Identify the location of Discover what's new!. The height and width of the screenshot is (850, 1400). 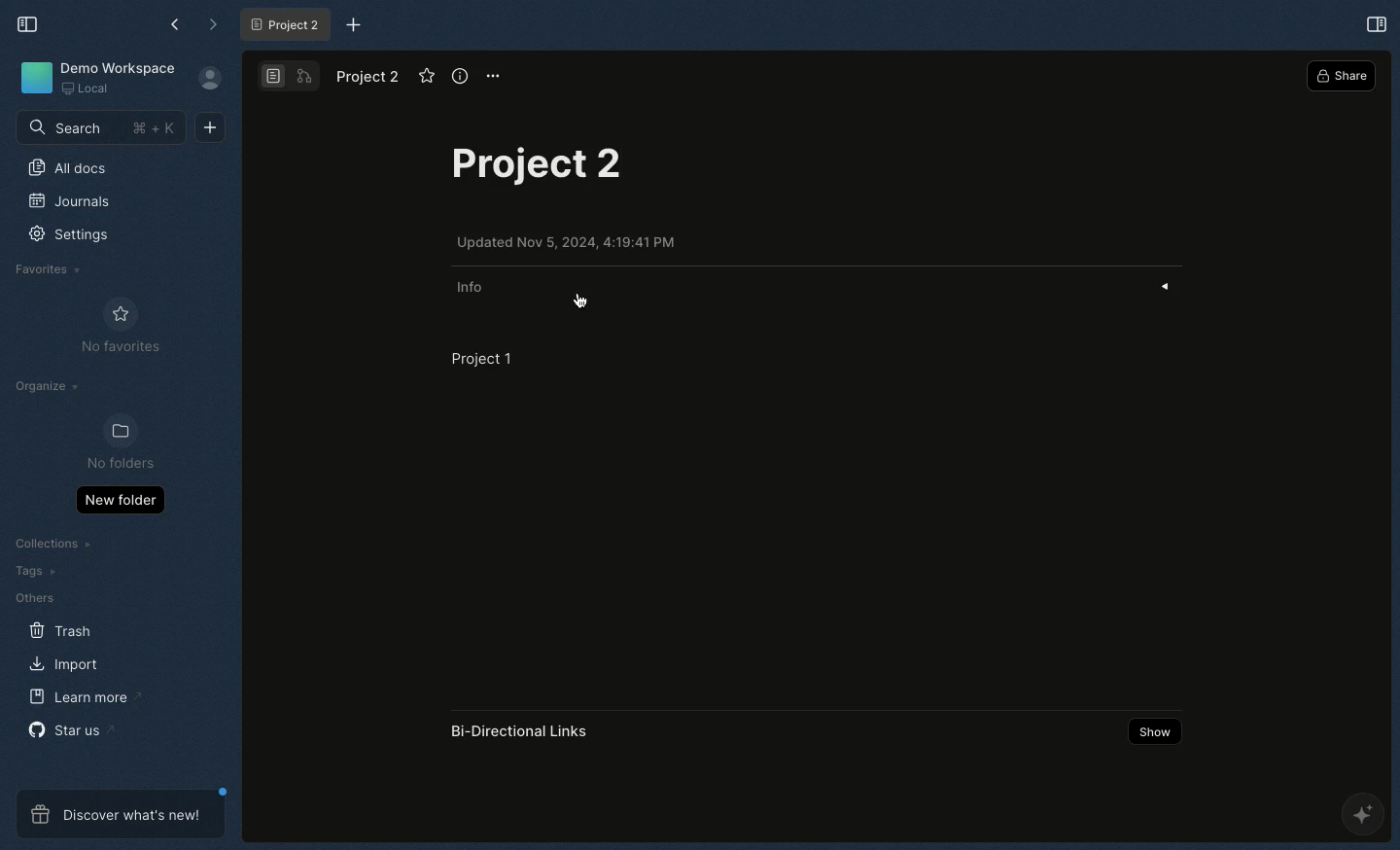
(114, 816).